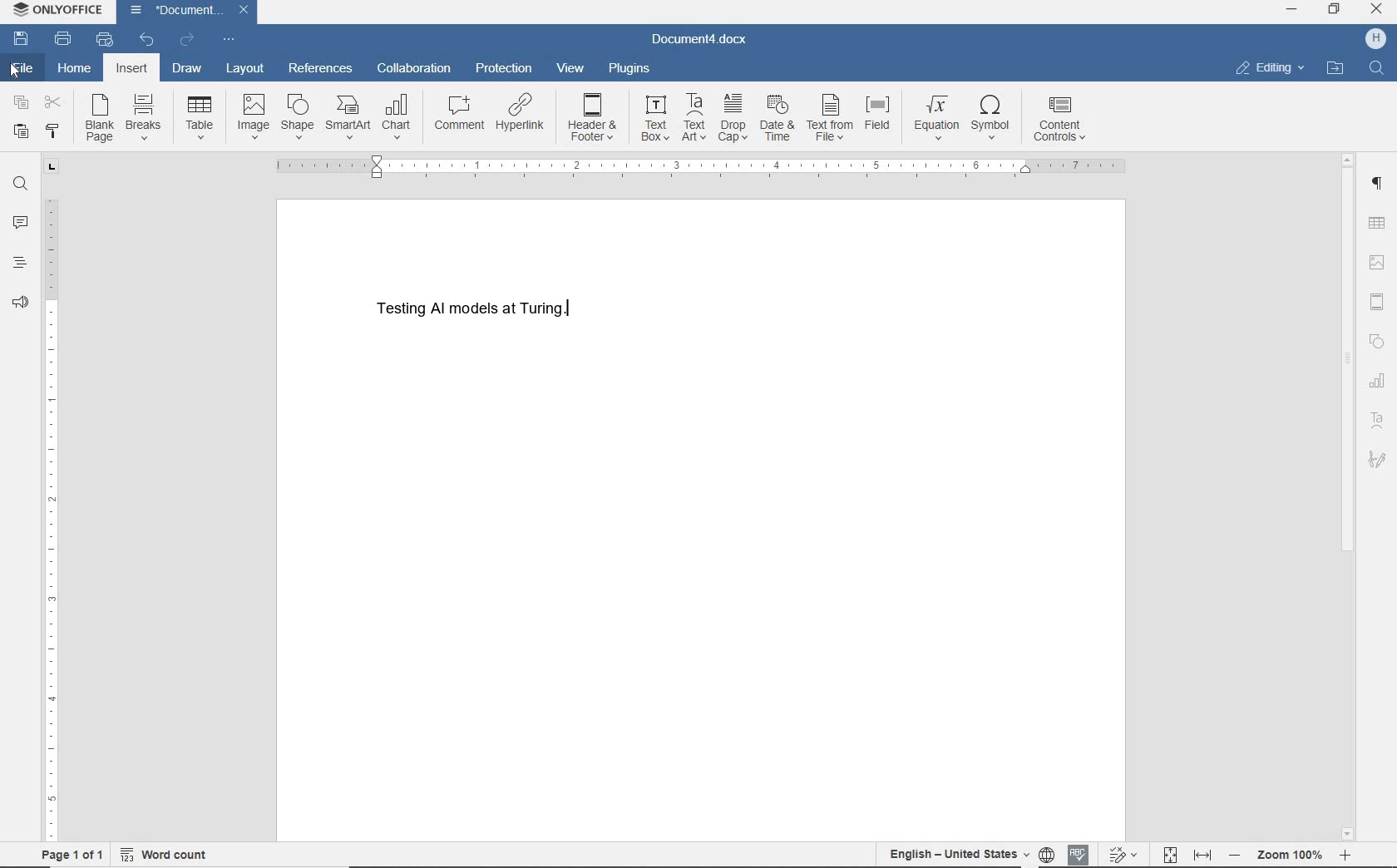 The height and width of the screenshot is (868, 1397). I want to click on ONLYOFFICE (application  name), so click(57, 11).